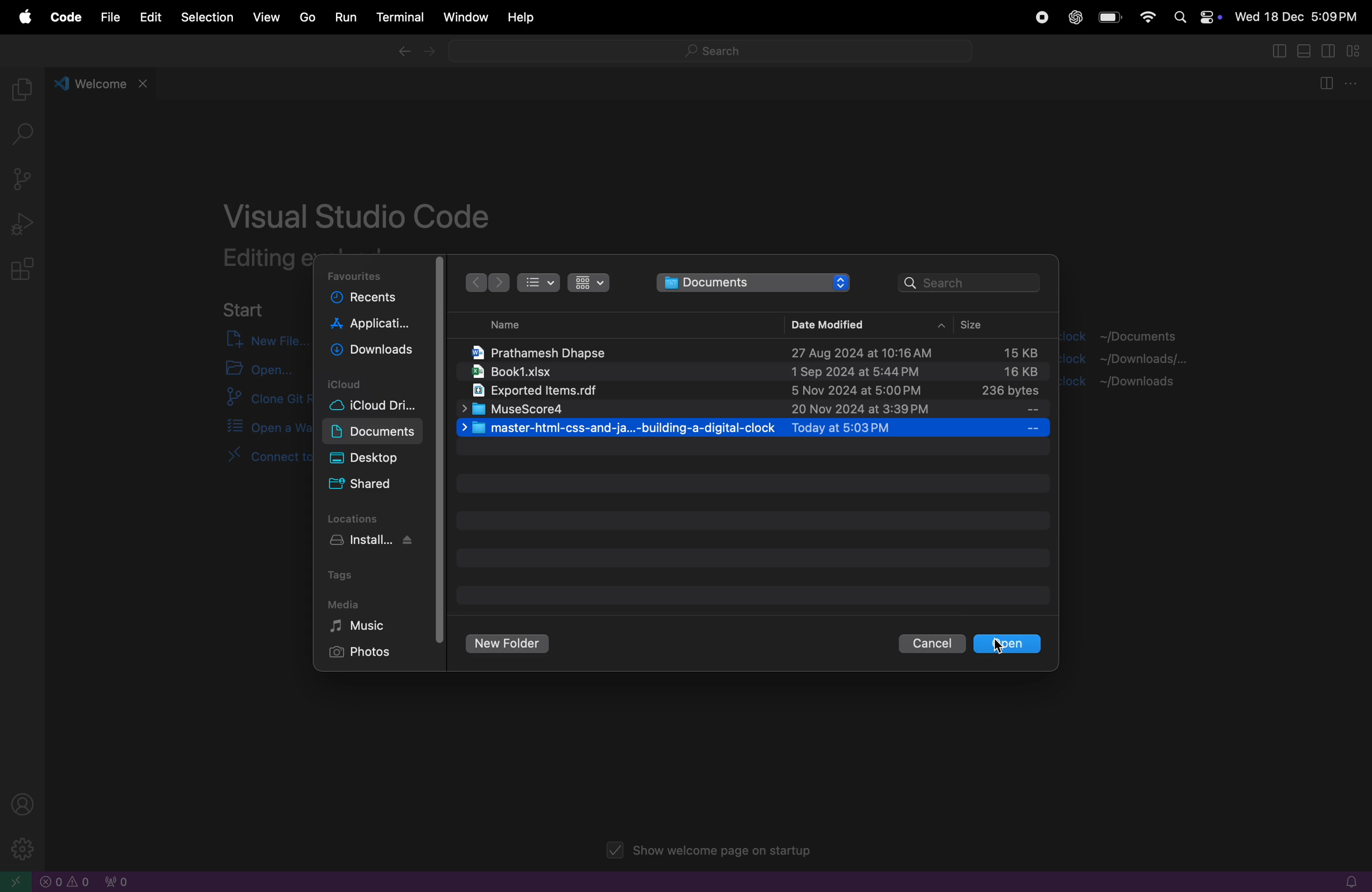  I want to click on view port, so click(115, 881).